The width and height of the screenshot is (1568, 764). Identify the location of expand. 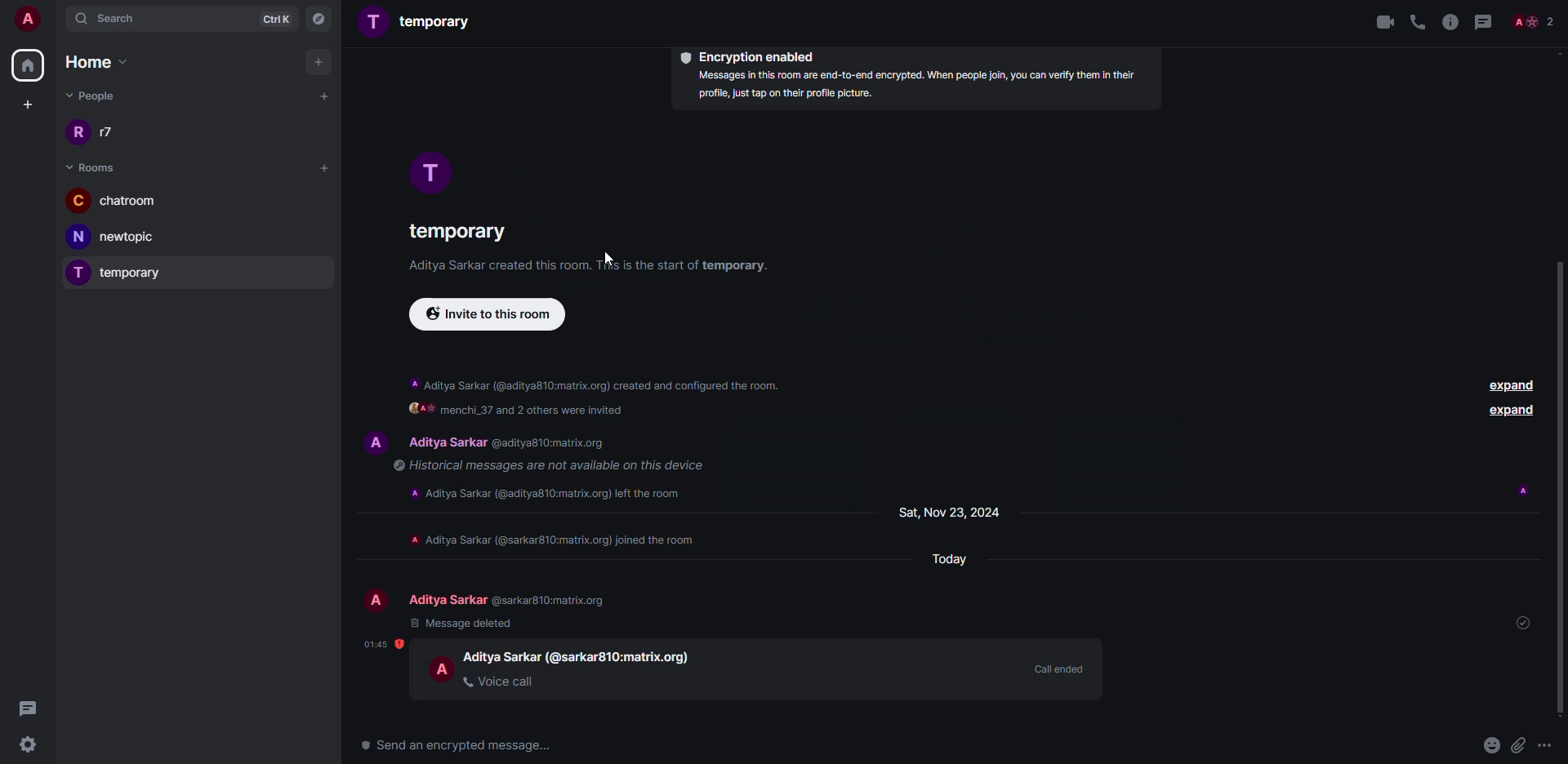
(1503, 384).